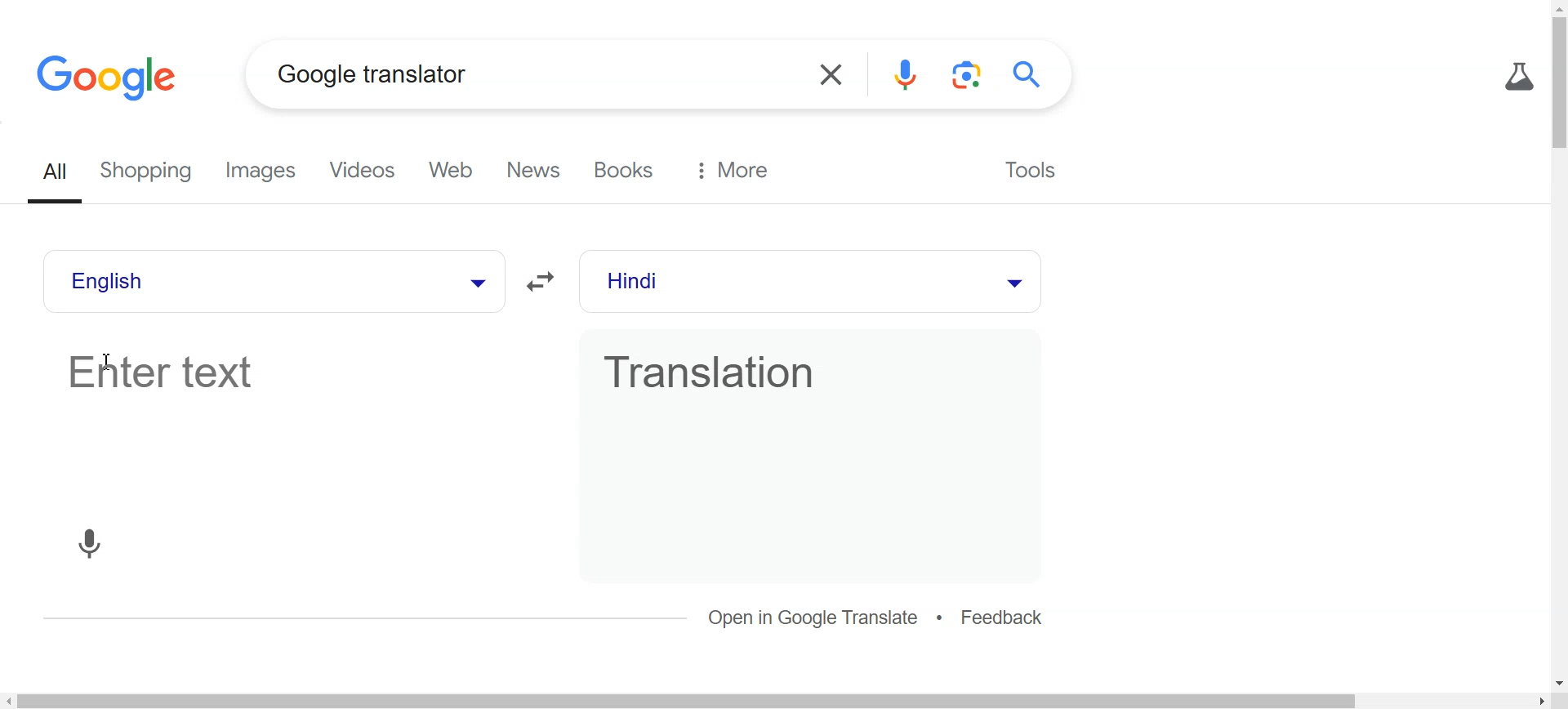 The image size is (1568, 709). I want to click on Search labs, so click(1516, 77).